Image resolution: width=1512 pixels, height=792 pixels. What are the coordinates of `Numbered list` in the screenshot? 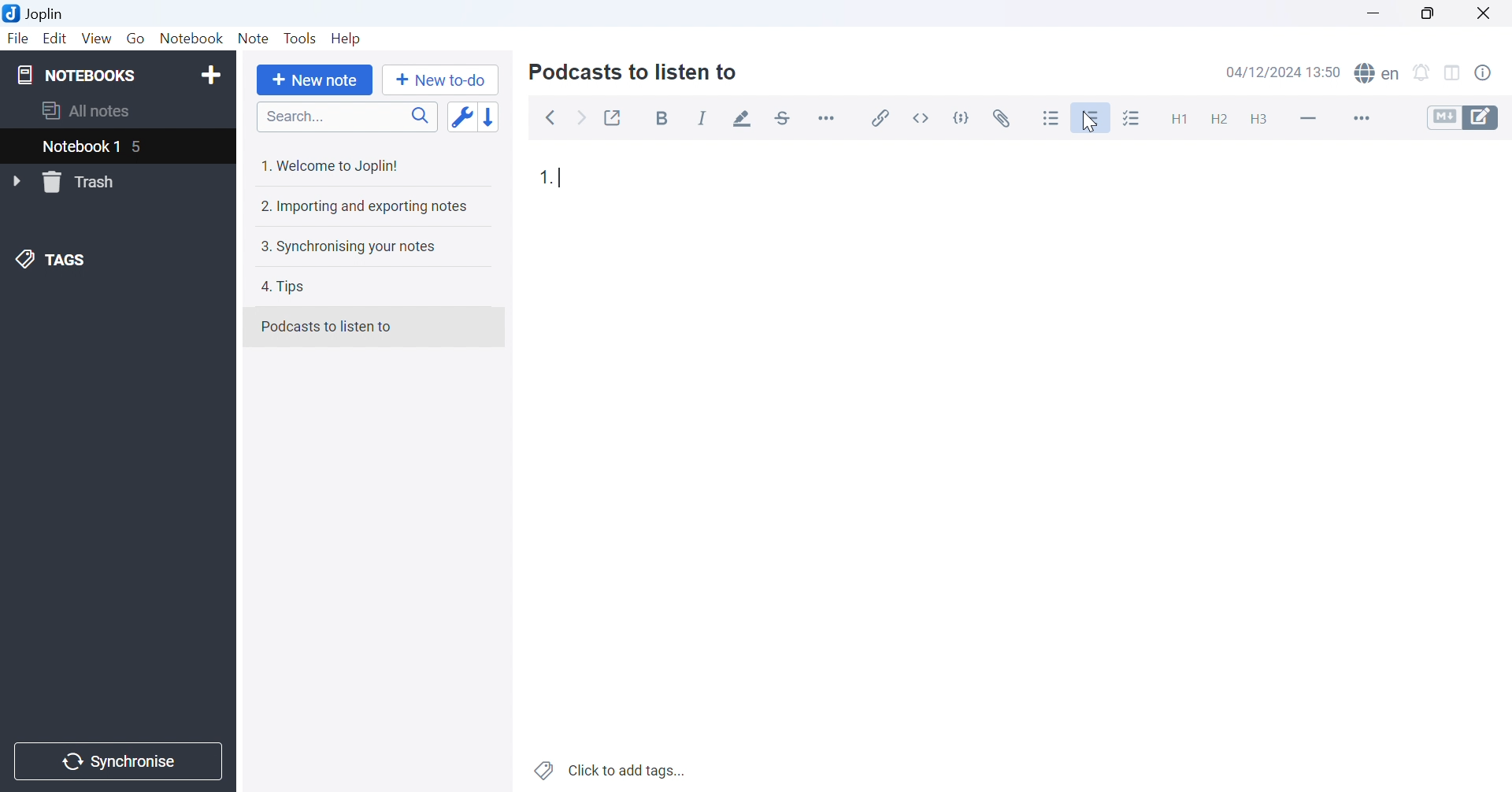 It's located at (1093, 117).